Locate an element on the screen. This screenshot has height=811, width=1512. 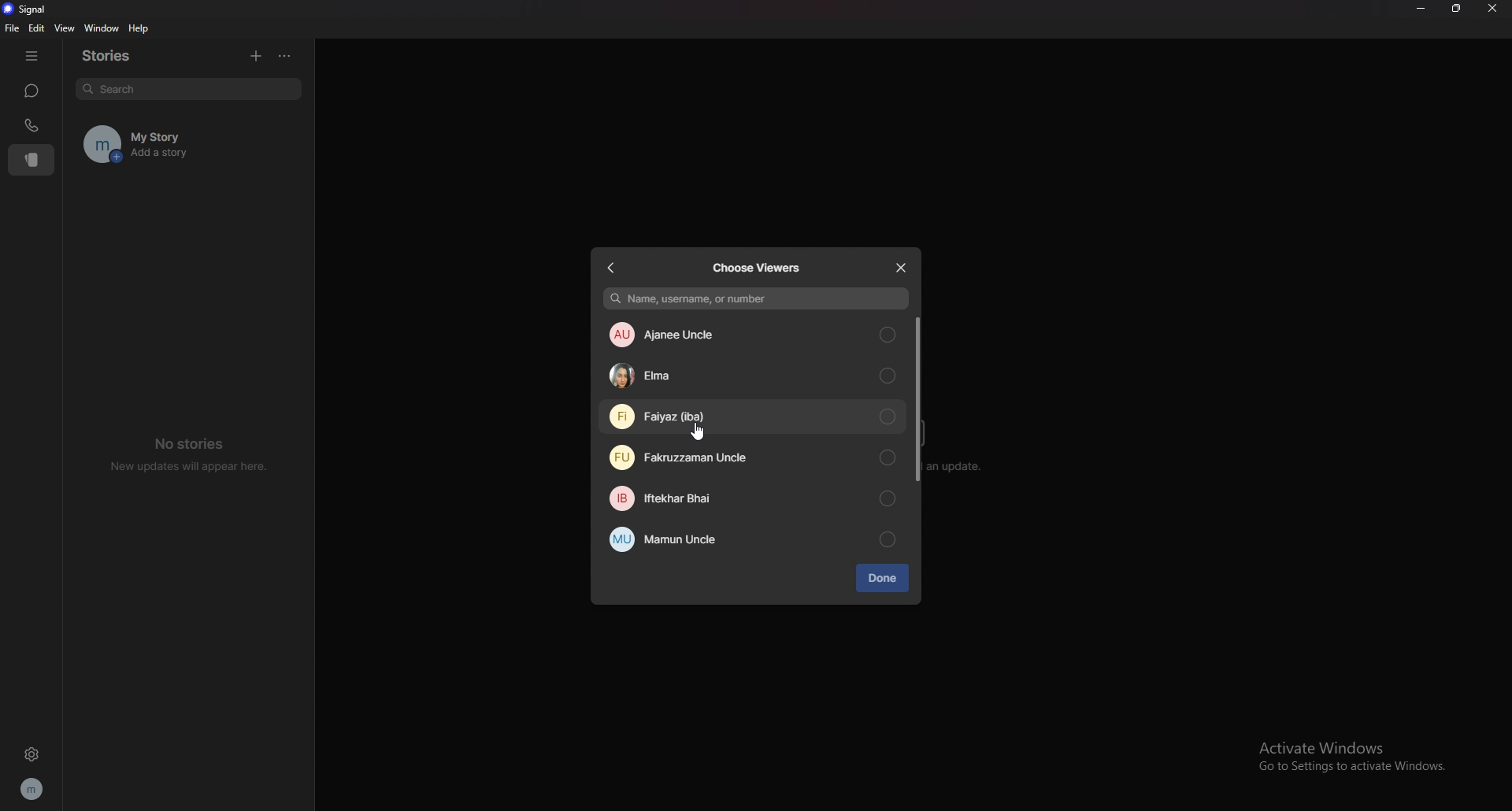
chats is located at coordinates (32, 91).